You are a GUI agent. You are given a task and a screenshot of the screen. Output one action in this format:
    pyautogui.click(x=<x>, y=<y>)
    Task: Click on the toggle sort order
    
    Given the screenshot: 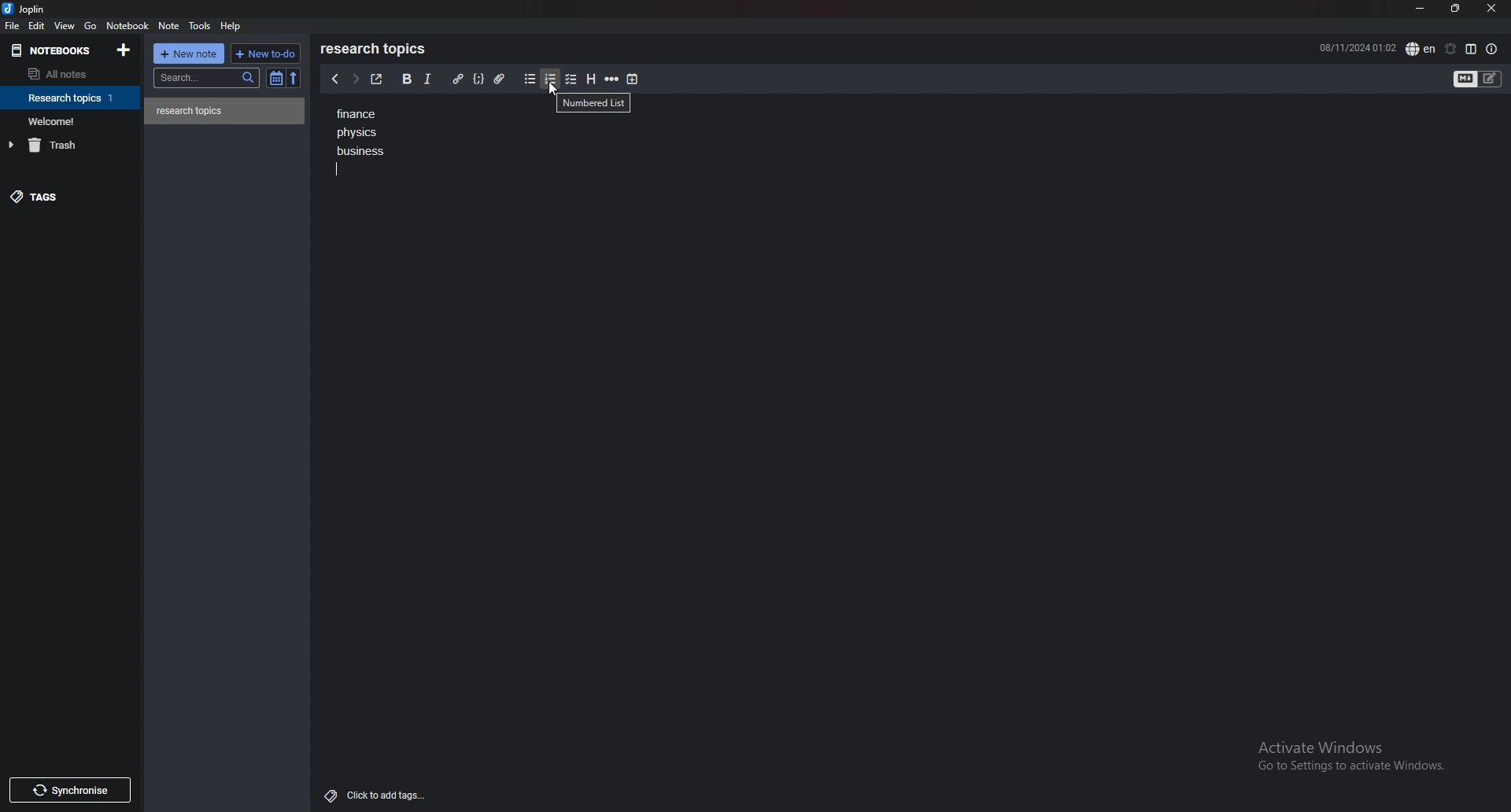 What is the action you would take?
    pyautogui.click(x=276, y=79)
    